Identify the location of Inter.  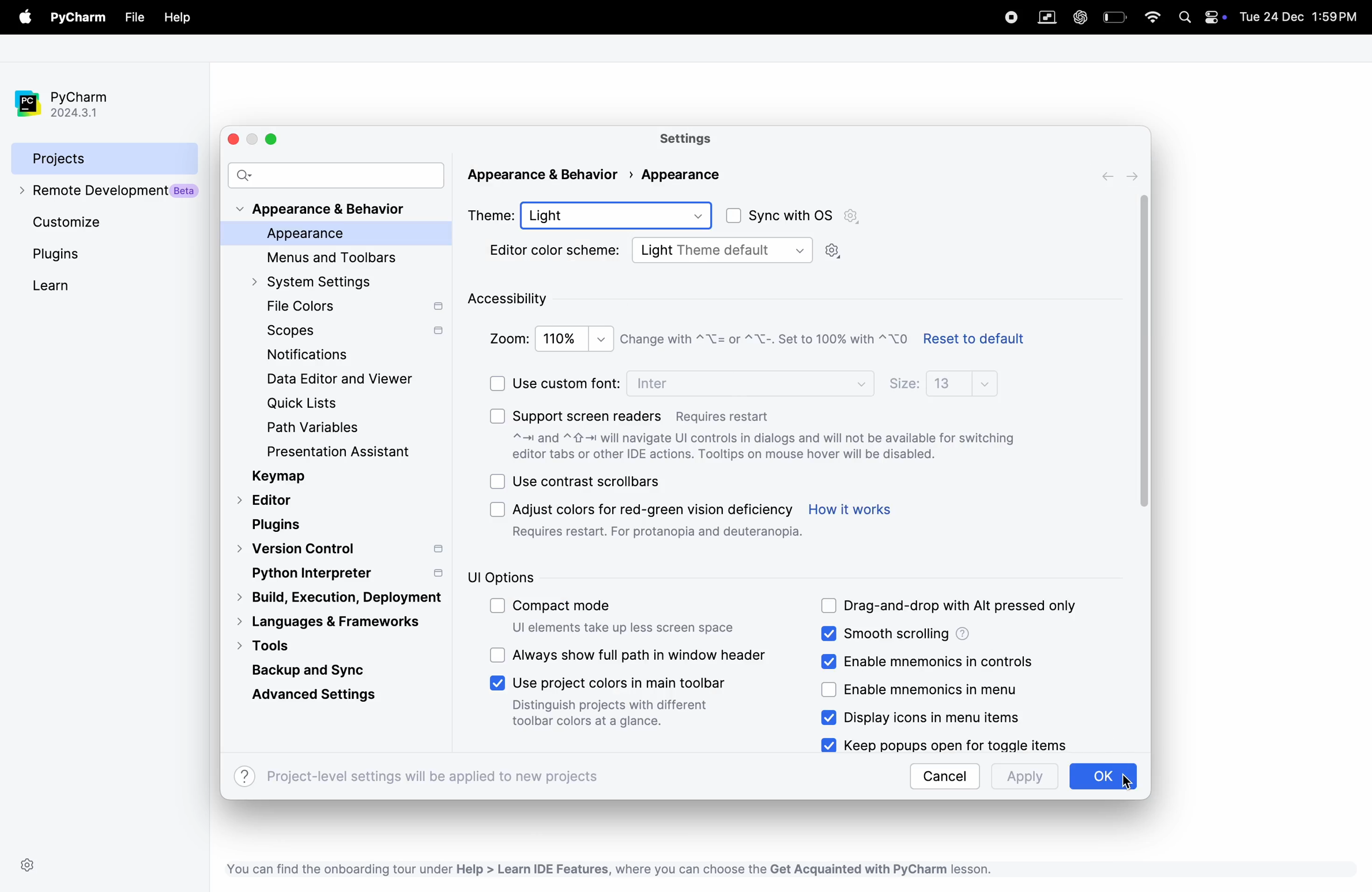
(657, 384).